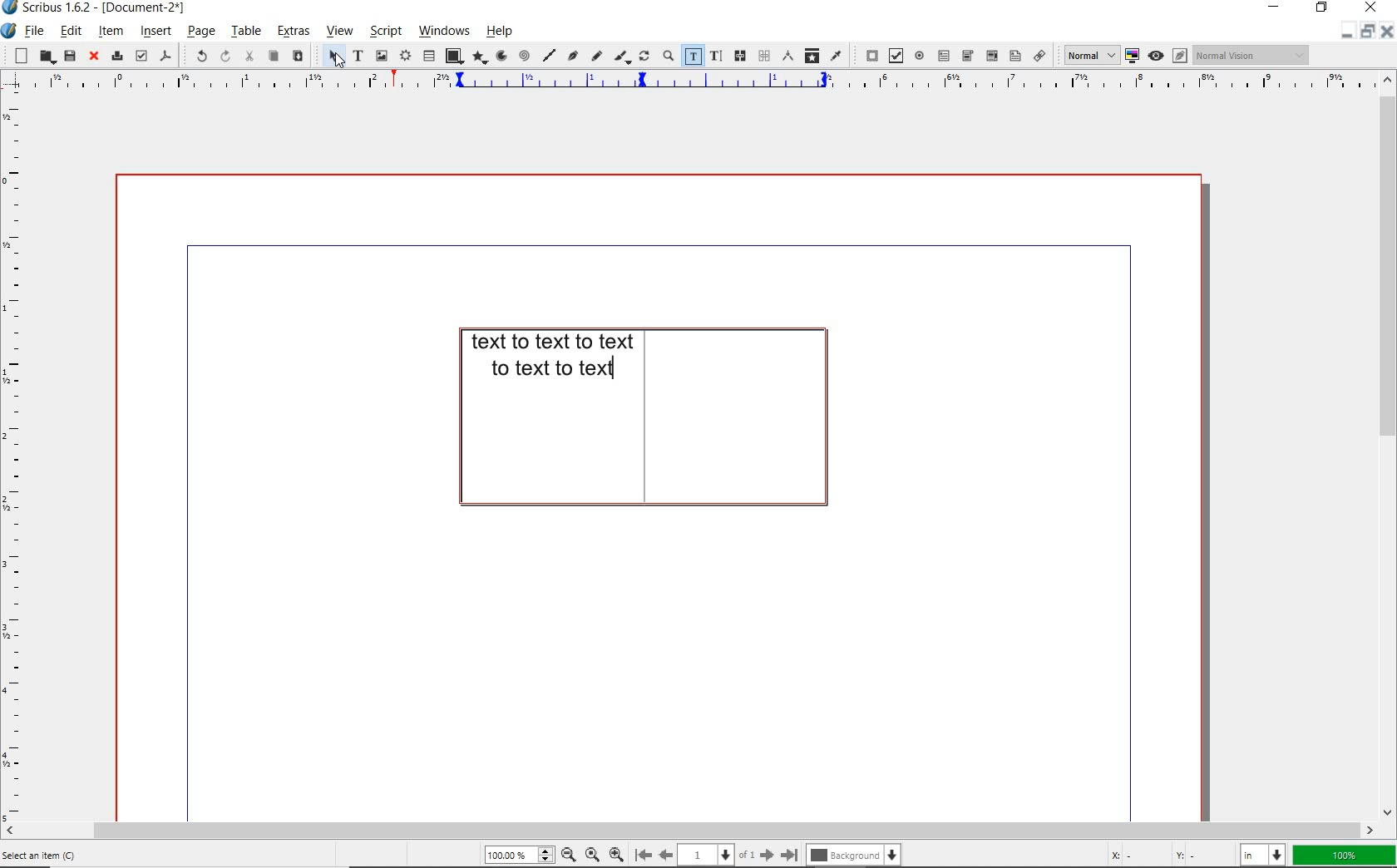 This screenshot has height=868, width=1397. I want to click on pdf text field, so click(944, 56).